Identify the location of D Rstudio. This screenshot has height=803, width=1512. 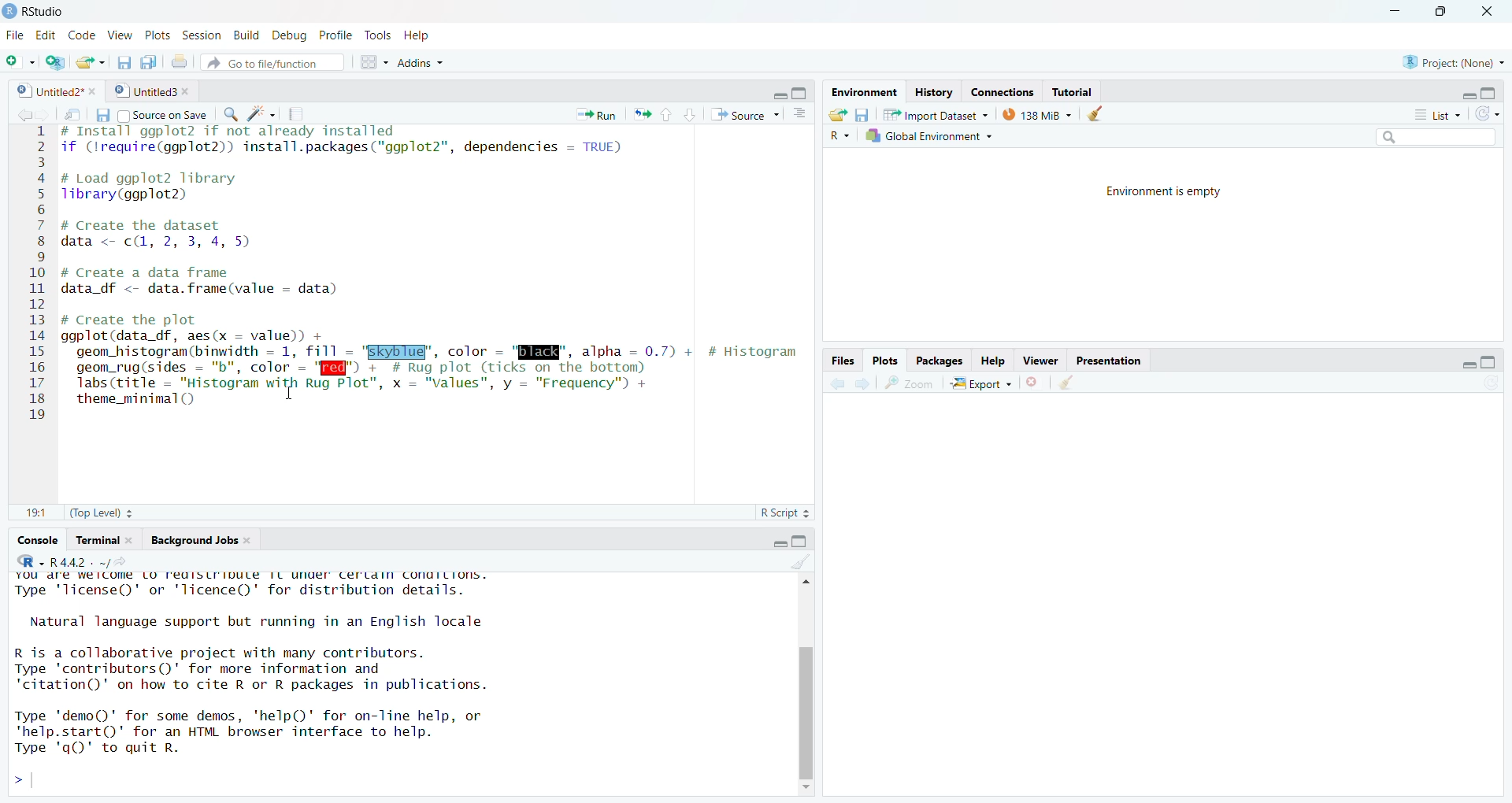
(69, 11).